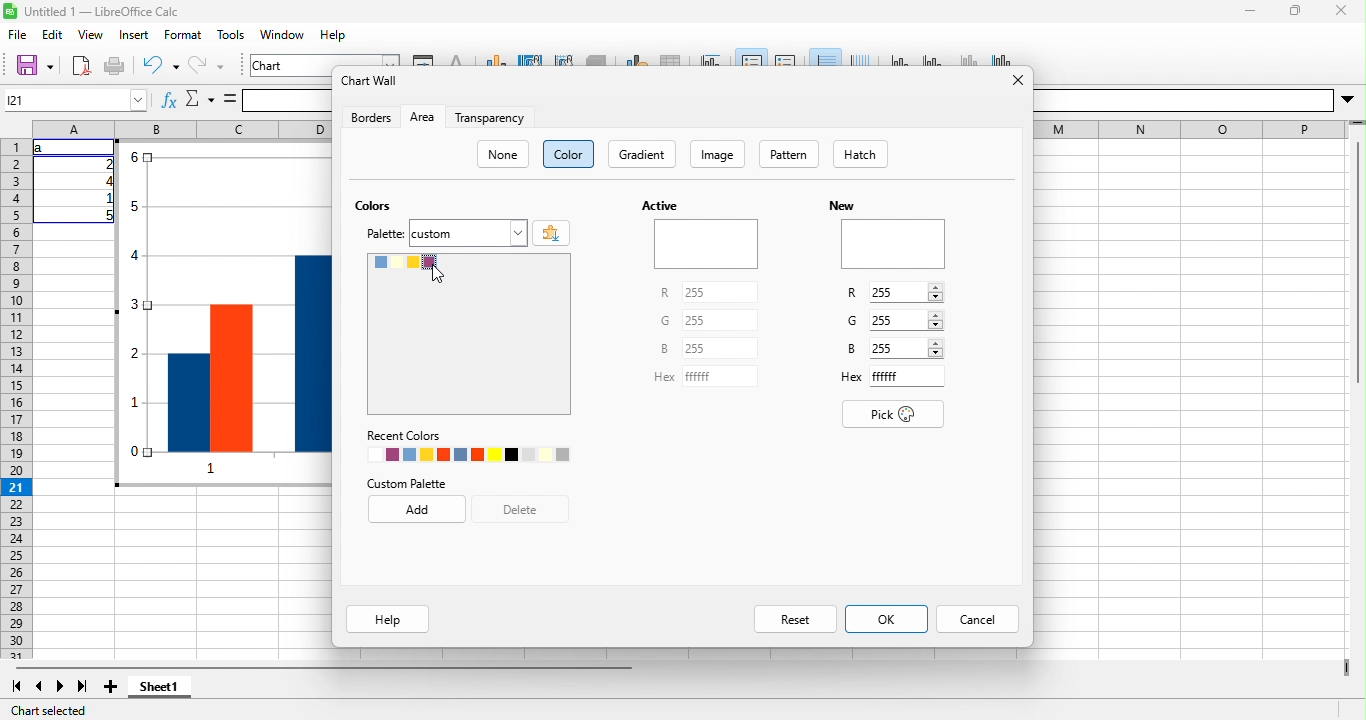 The image size is (1366, 720). Describe the element at coordinates (999, 58) in the screenshot. I see `all axes` at that location.